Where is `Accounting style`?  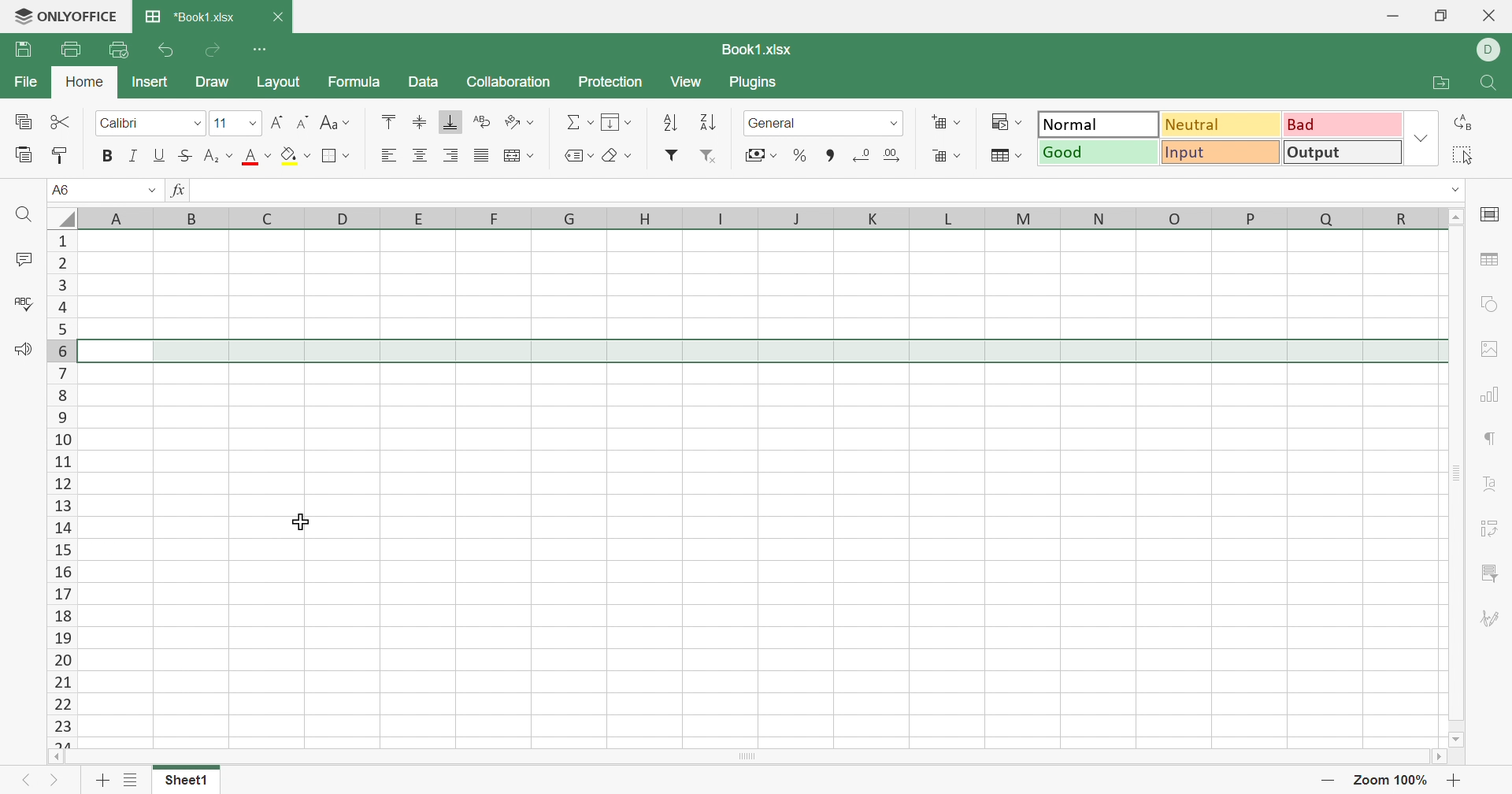
Accounting style is located at coordinates (759, 154).